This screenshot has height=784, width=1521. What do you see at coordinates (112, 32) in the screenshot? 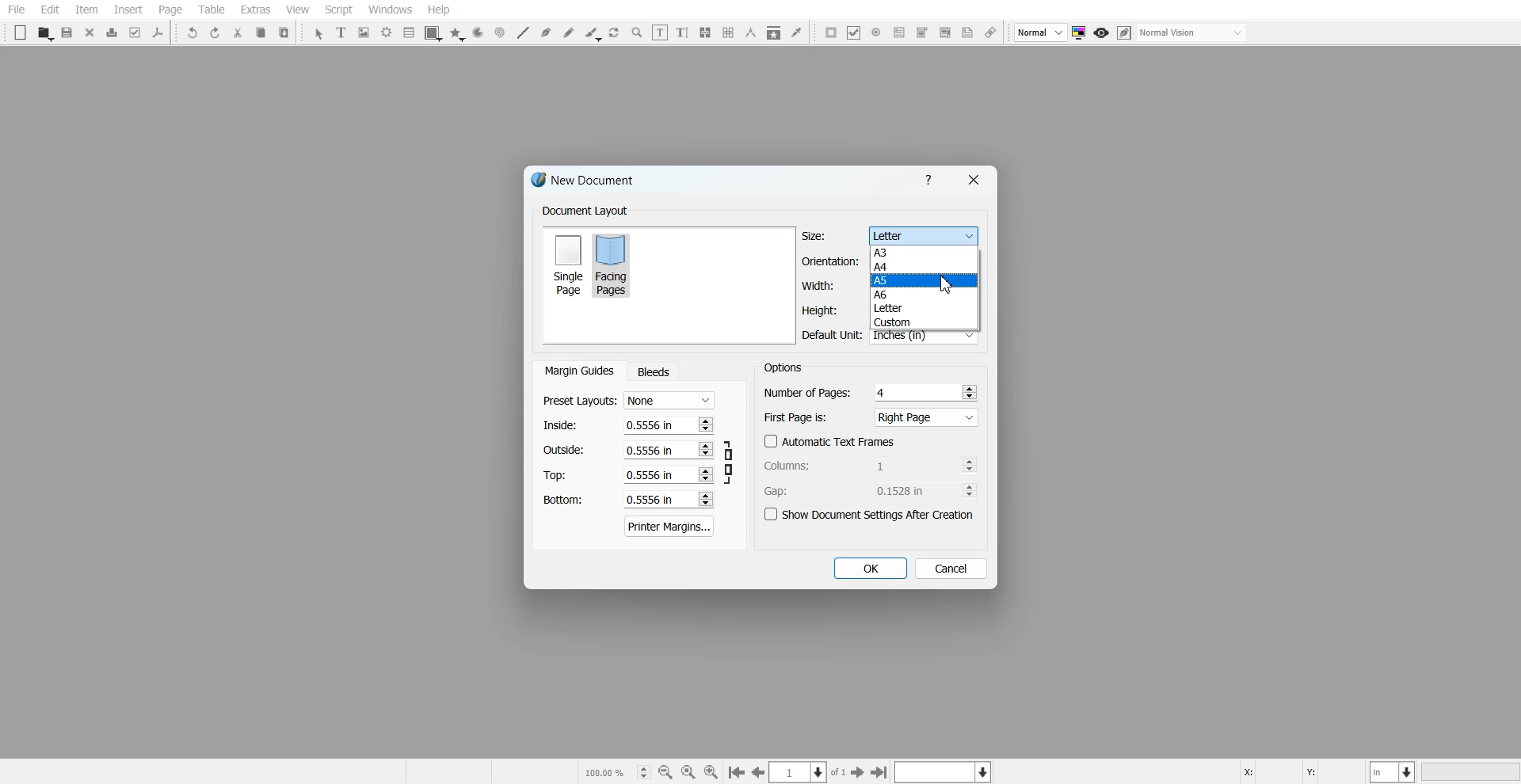
I see `Print` at bounding box center [112, 32].